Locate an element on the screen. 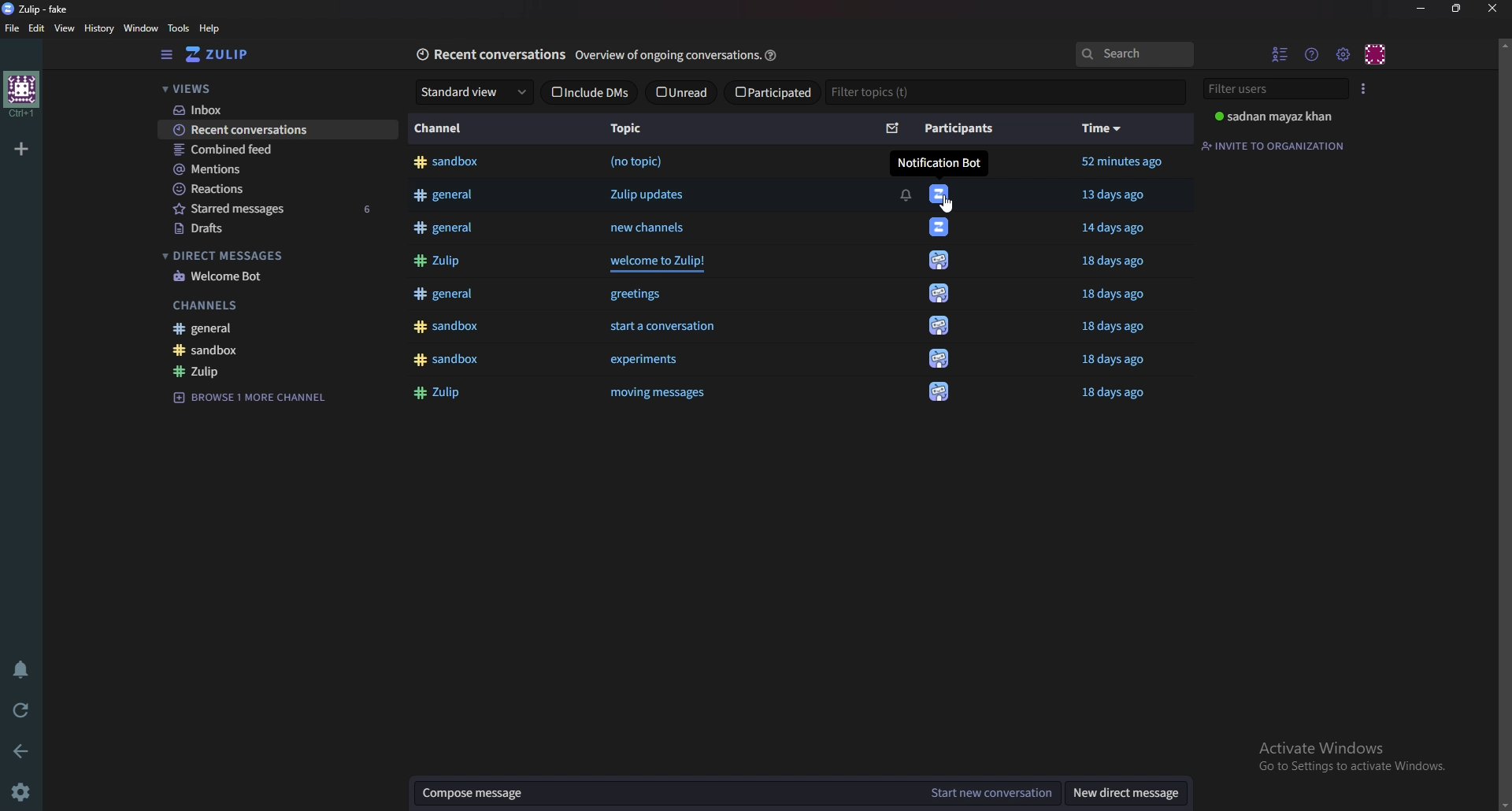  18 days ago is located at coordinates (1114, 328).